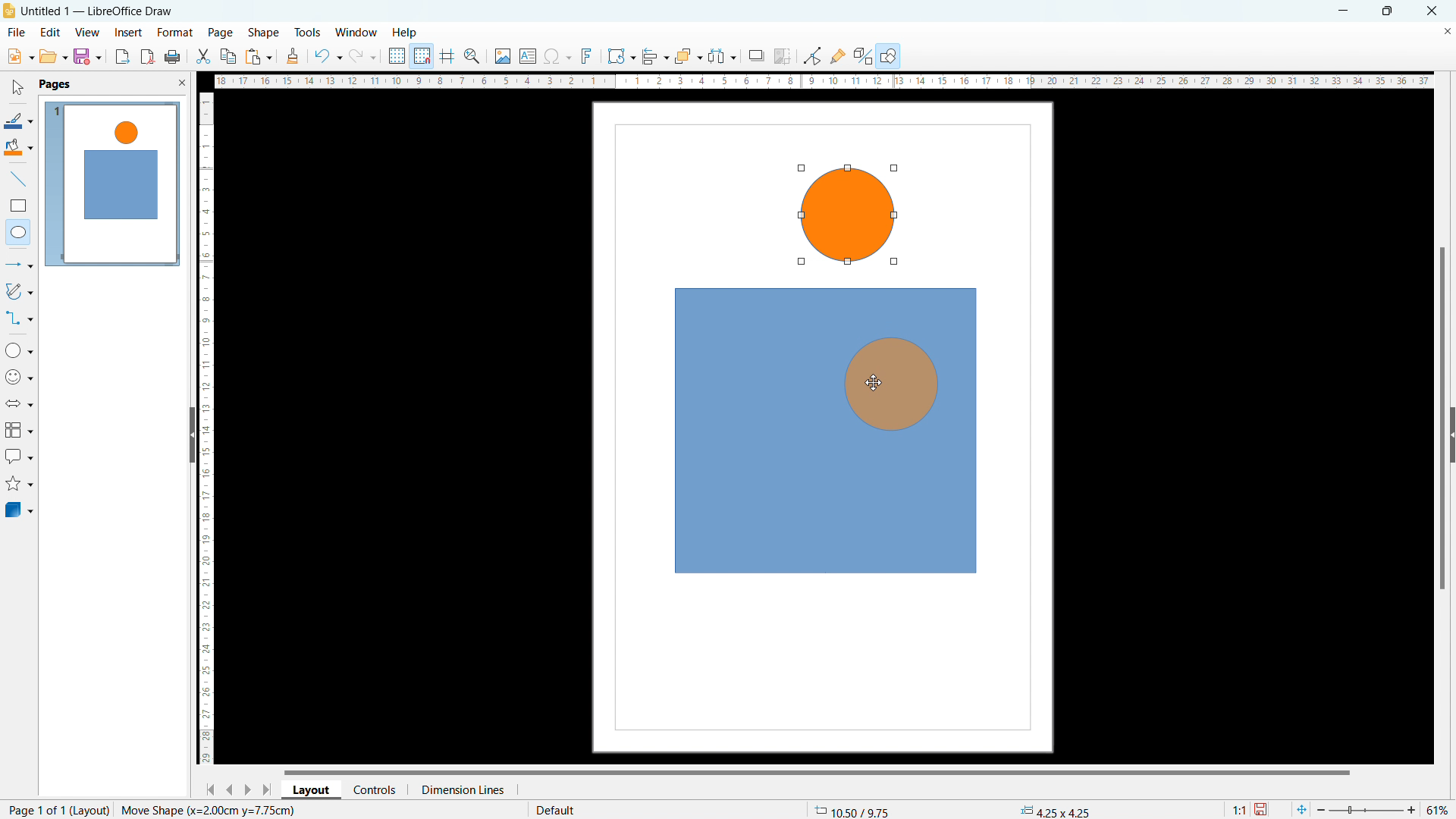  I want to click on copy, so click(229, 56).